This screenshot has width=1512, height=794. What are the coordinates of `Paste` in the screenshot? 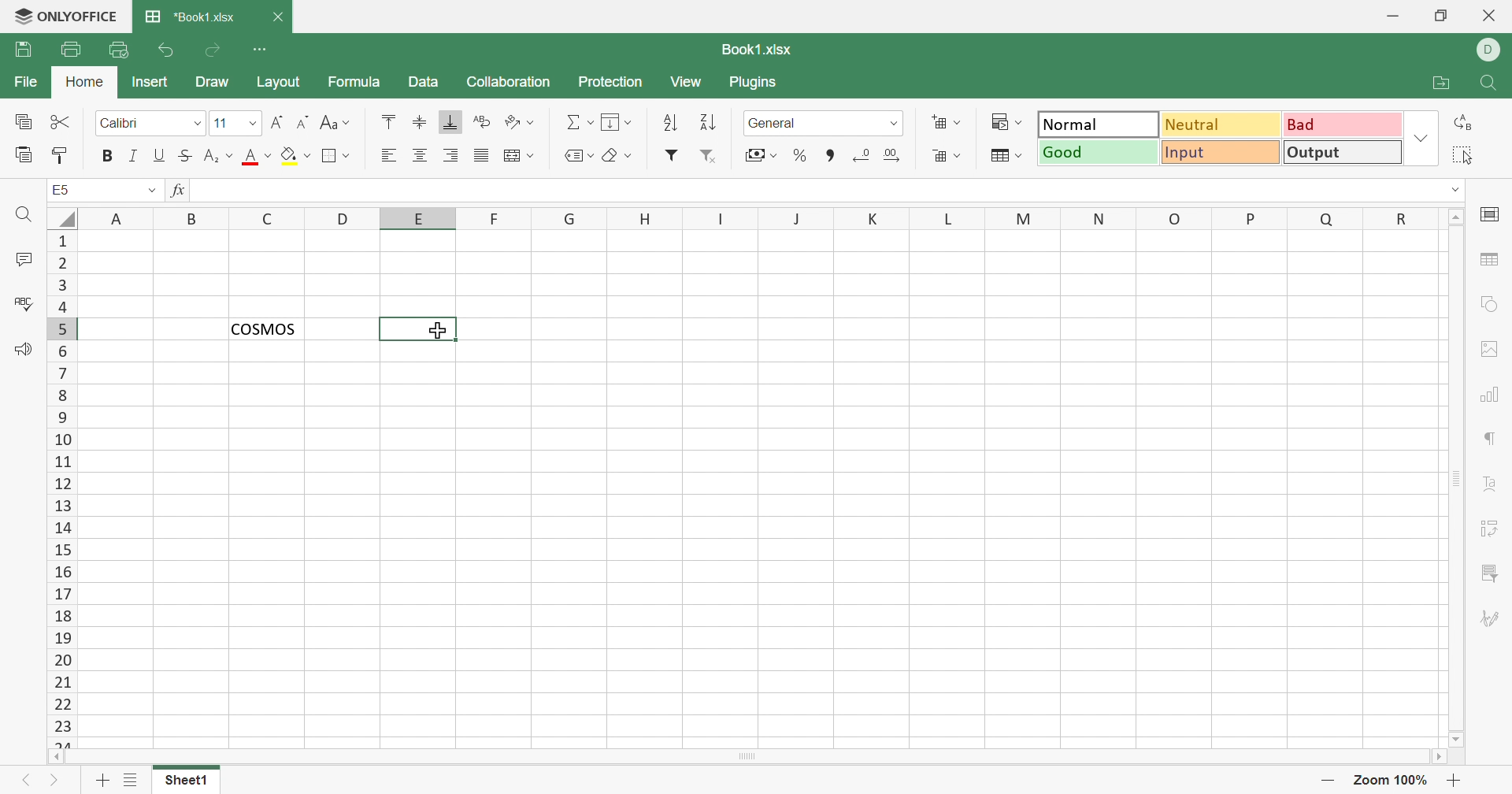 It's located at (22, 156).